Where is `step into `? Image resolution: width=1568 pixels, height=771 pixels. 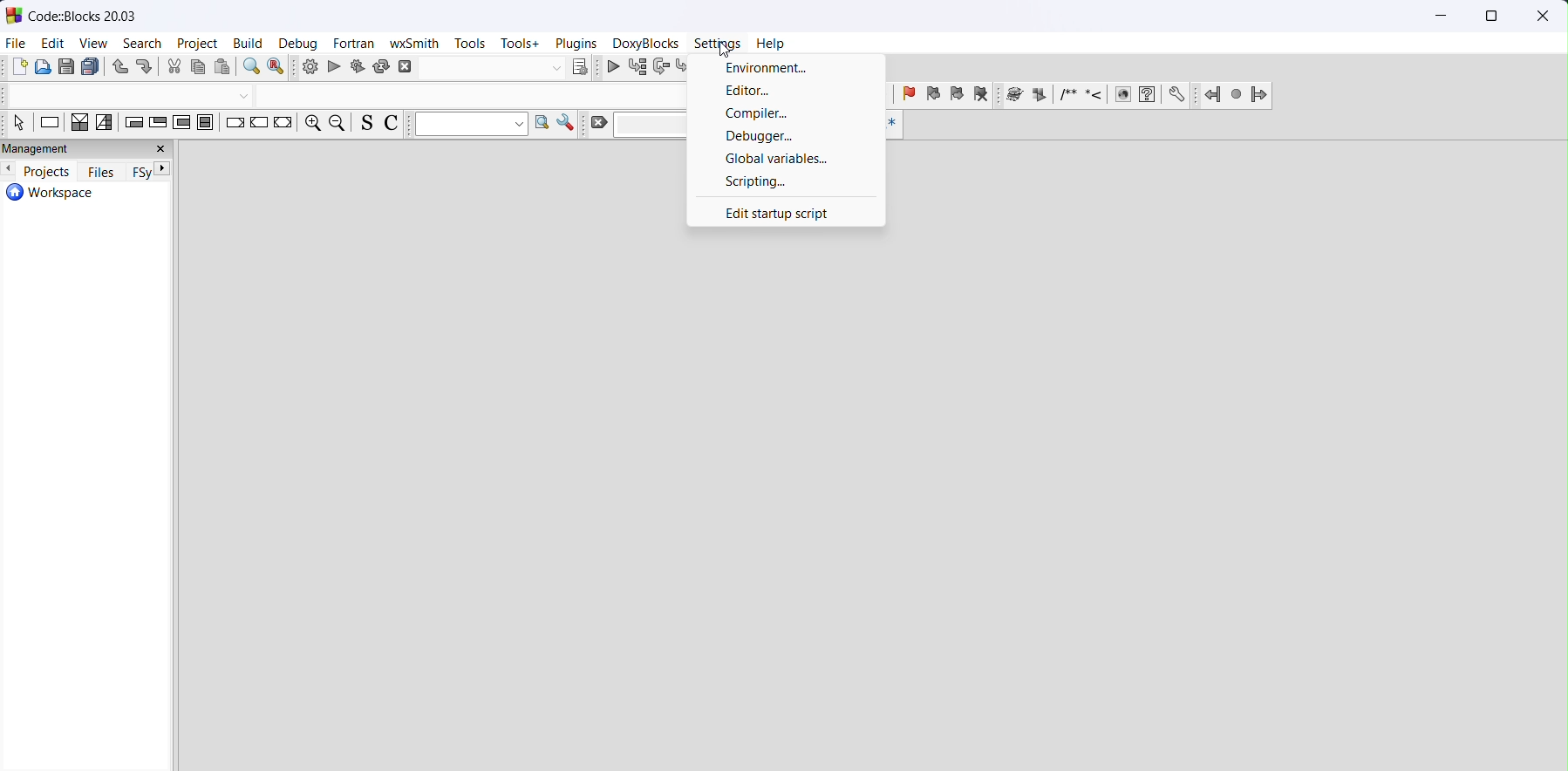 step into  is located at coordinates (685, 68).